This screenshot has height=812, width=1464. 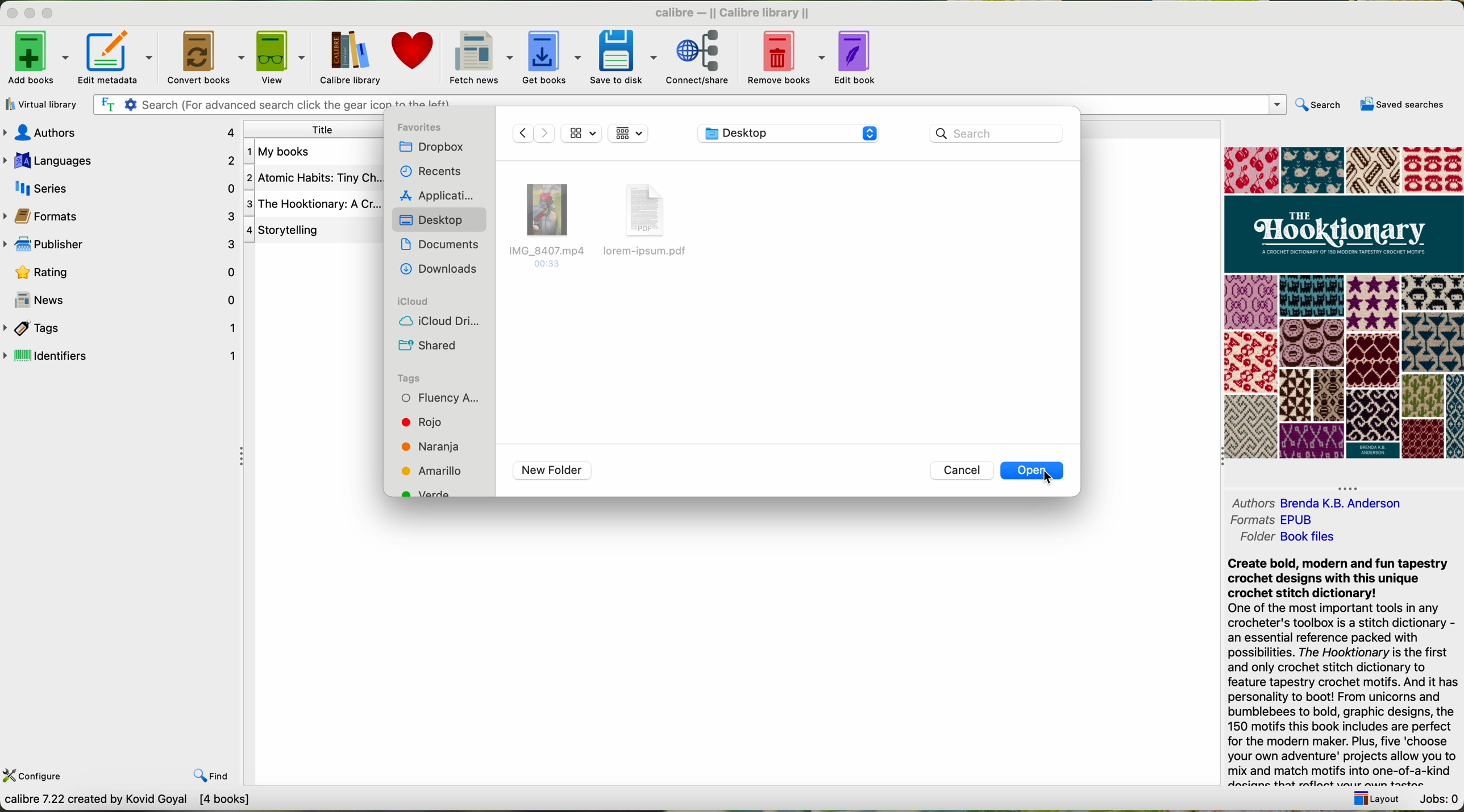 What do you see at coordinates (243, 461) in the screenshot?
I see `collapse` at bounding box center [243, 461].